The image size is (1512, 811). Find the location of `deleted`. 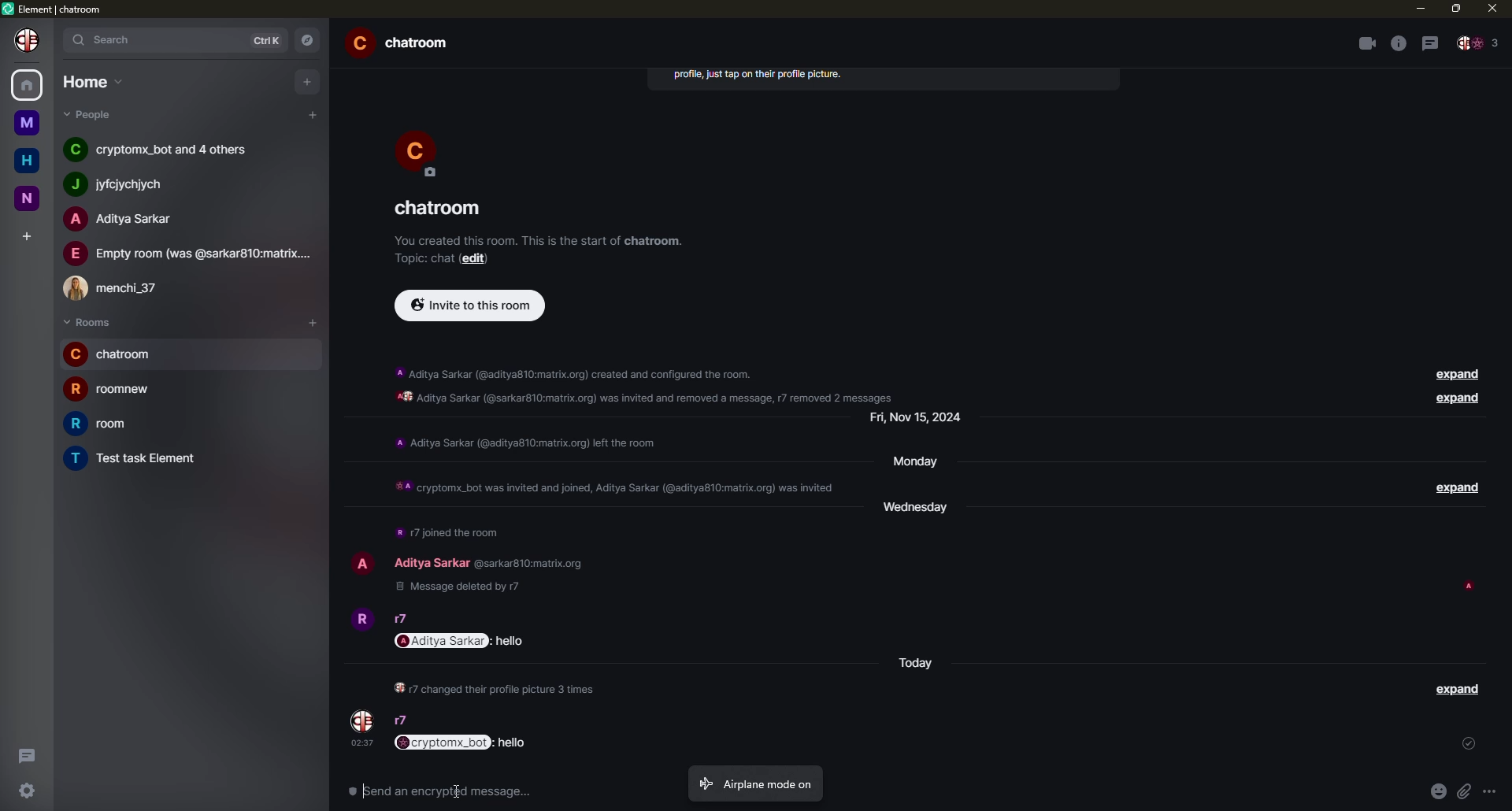

deleted is located at coordinates (463, 588).